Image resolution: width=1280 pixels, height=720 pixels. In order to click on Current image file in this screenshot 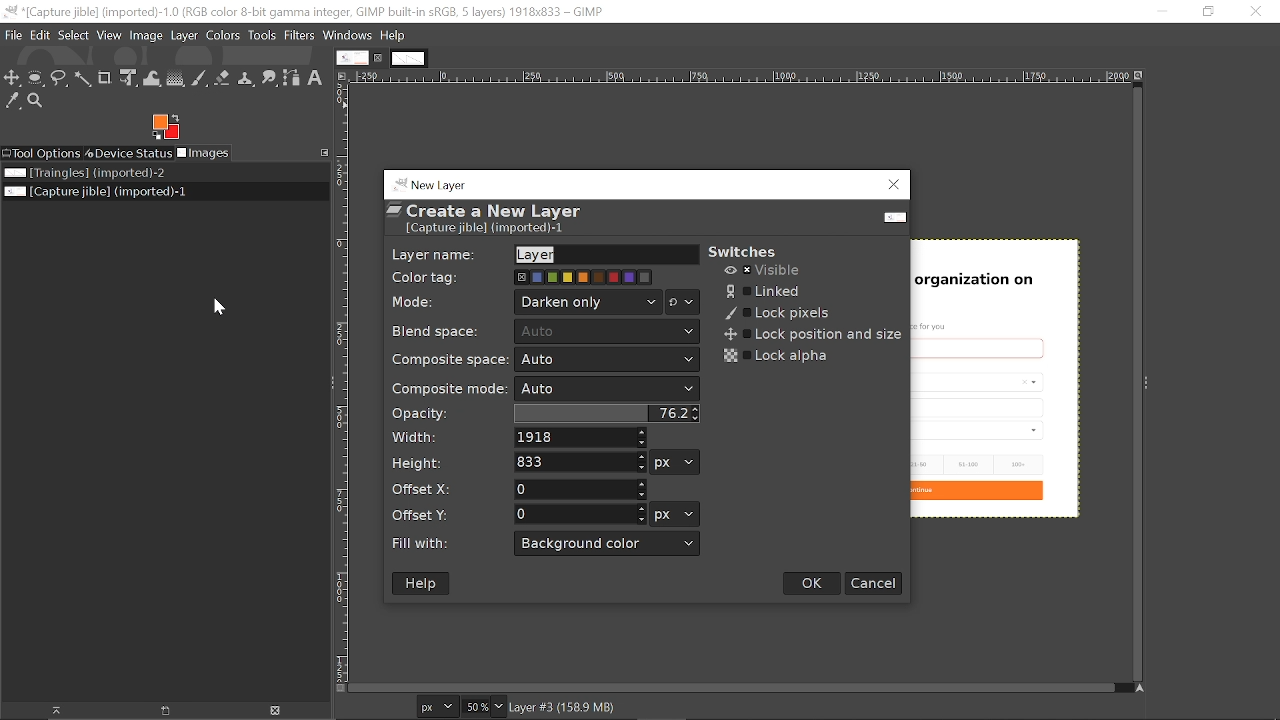, I will do `click(94, 193)`.